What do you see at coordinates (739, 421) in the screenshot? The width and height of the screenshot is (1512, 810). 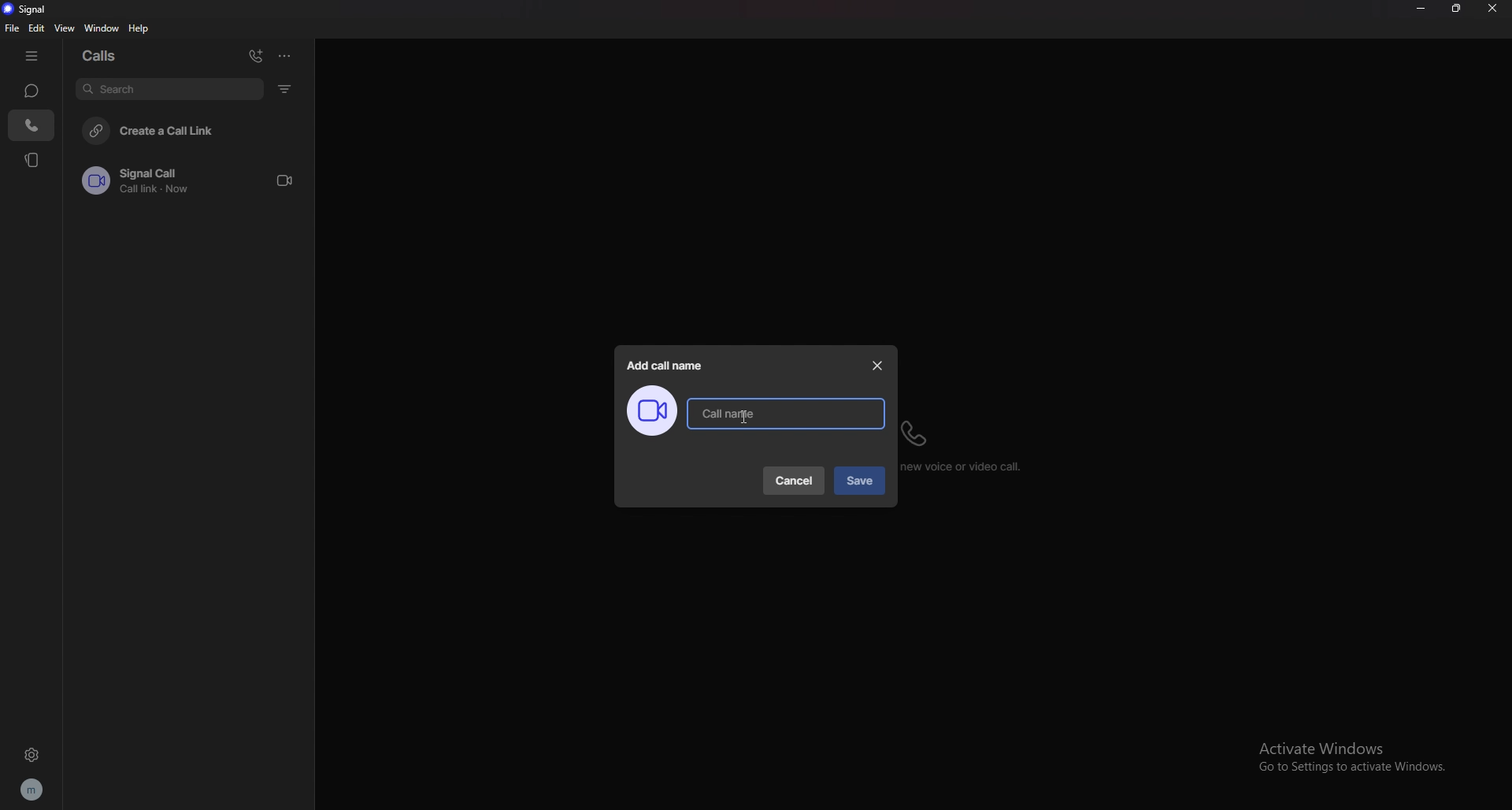 I see `cursor` at bounding box center [739, 421].